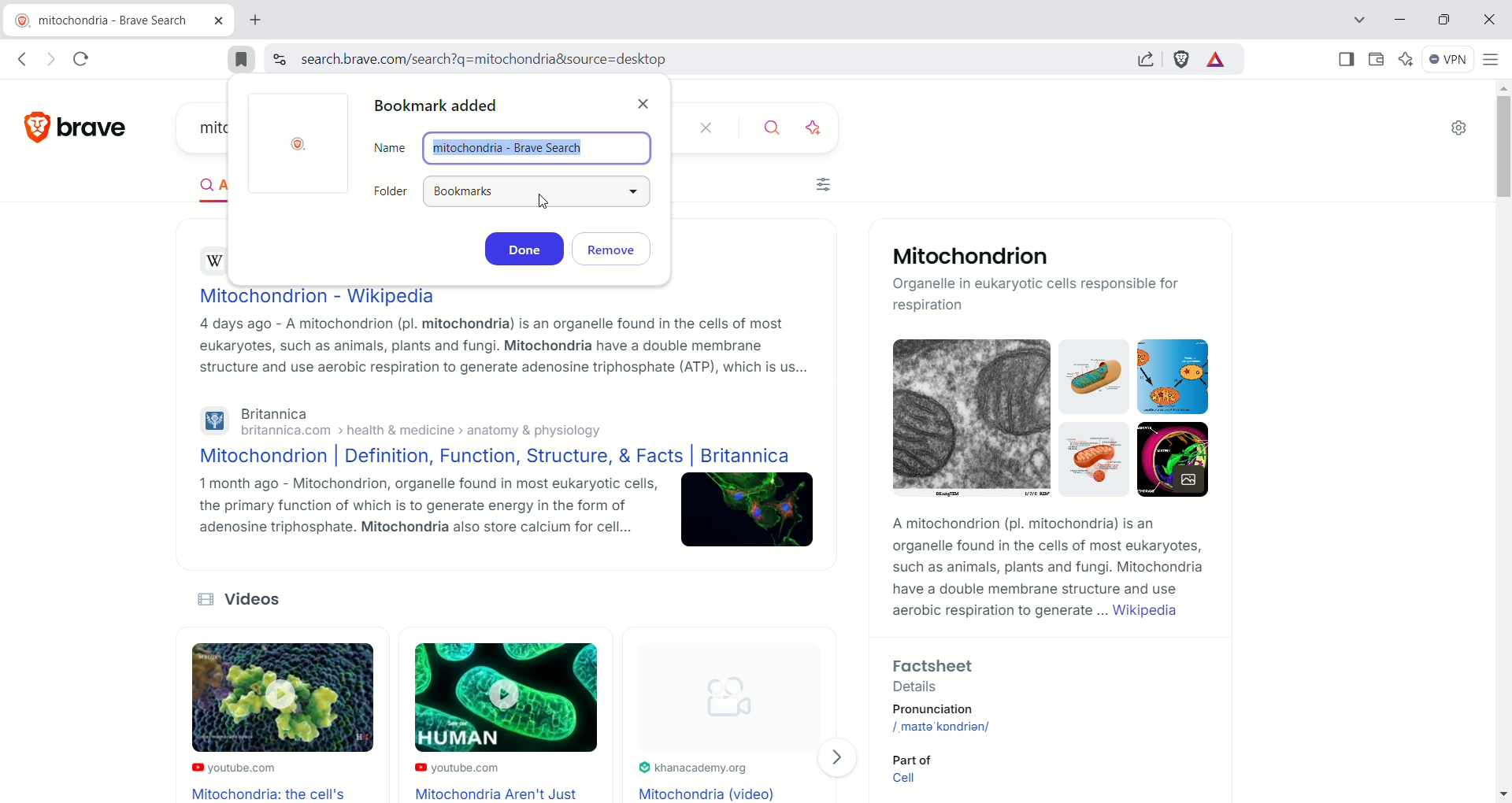 The image size is (1512, 803). What do you see at coordinates (1151, 60) in the screenshot?
I see `share this page` at bounding box center [1151, 60].